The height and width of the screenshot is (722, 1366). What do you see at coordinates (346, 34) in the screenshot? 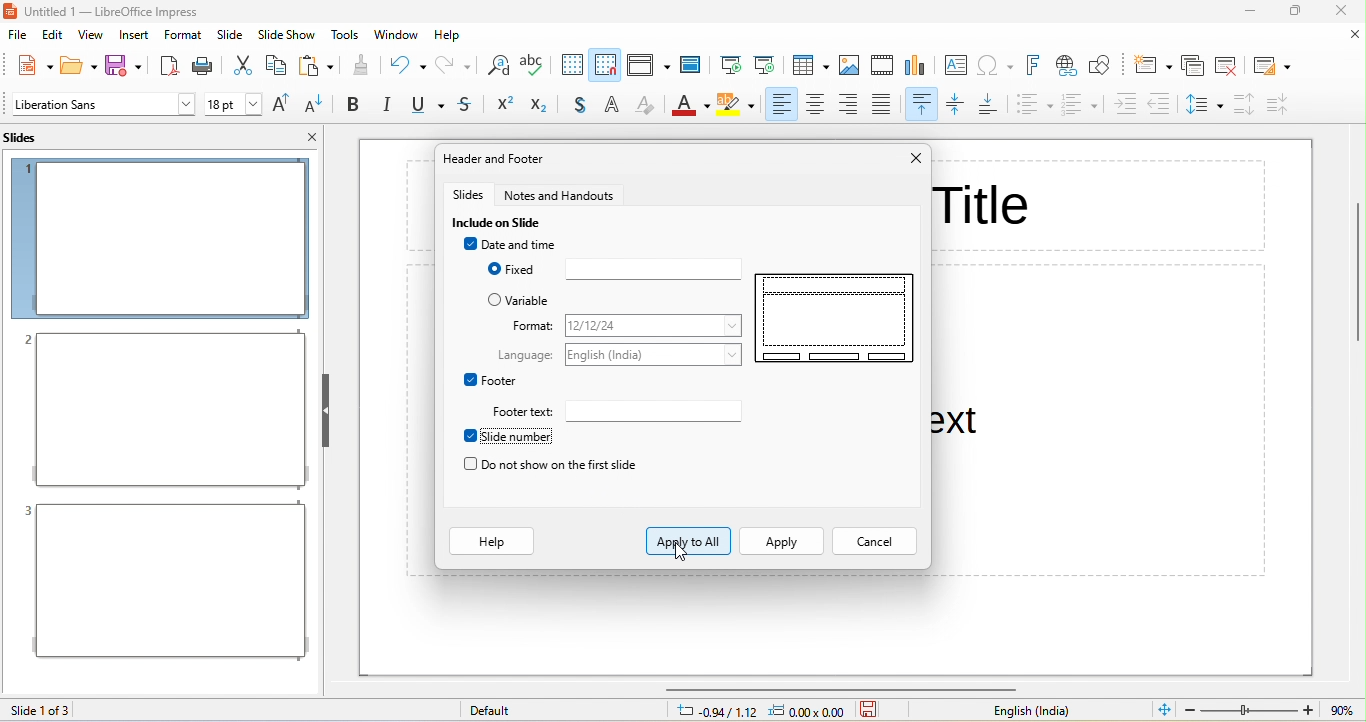
I see `tools` at bounding box center [346, 34].